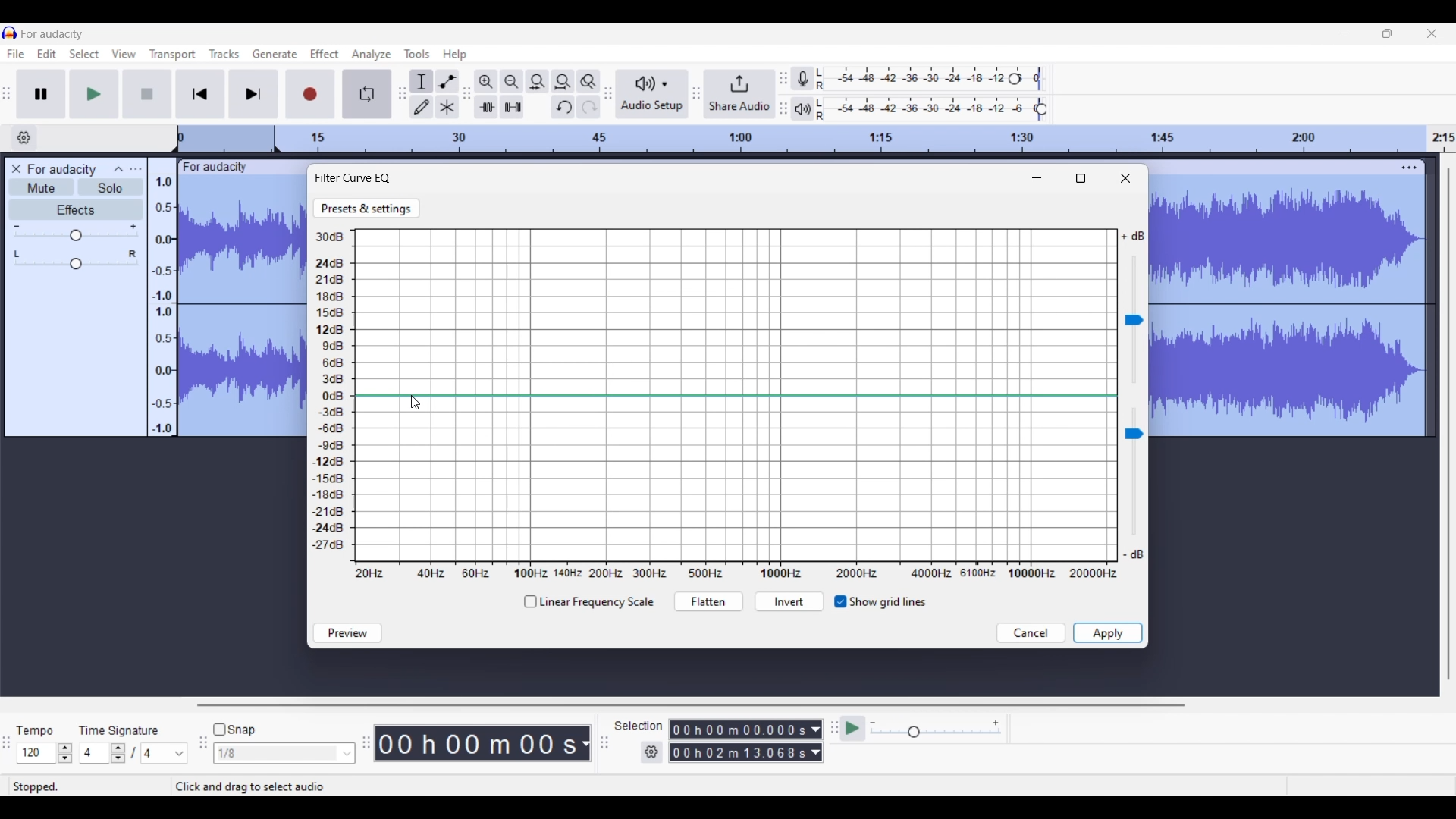 This screenshot has width=1456, height=819. Describe the element at coordinates (874, 723) in the screenshot. I see `Min. playback speed` at that location.